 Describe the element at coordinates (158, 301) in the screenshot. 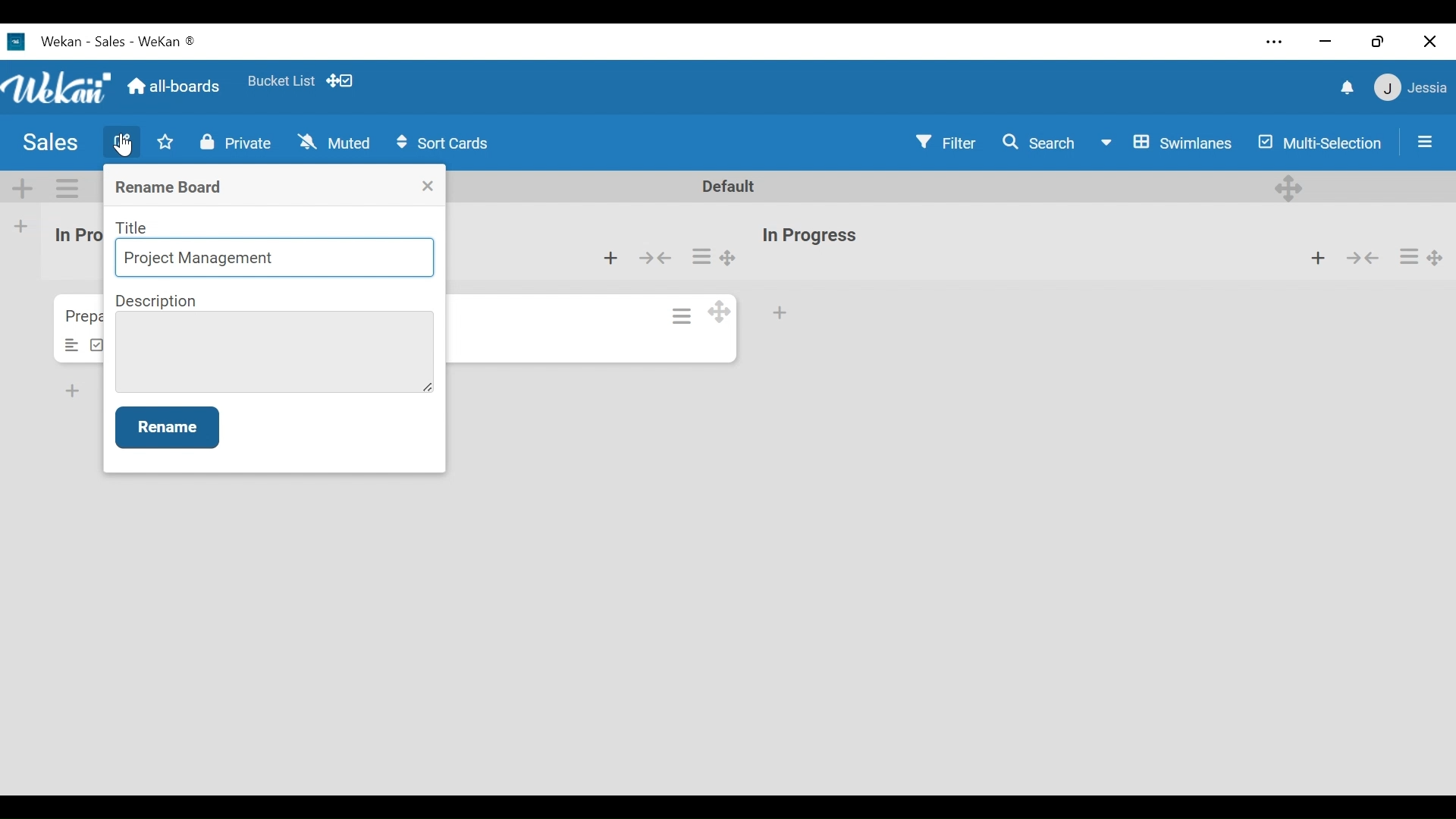

I see `Description` at that location.